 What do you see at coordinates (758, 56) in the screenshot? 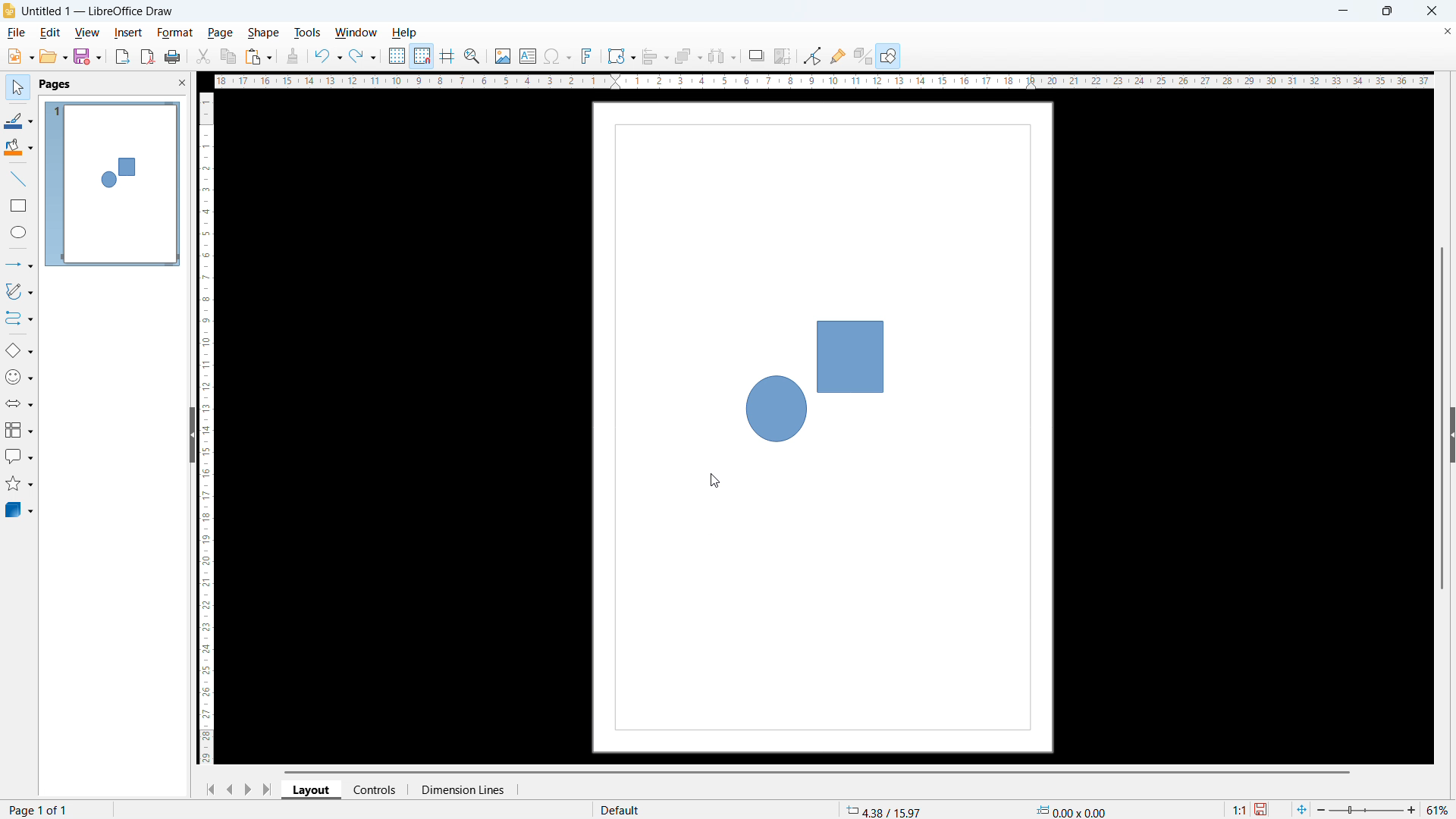
I see `shadow` at bounding box center [758, 56].